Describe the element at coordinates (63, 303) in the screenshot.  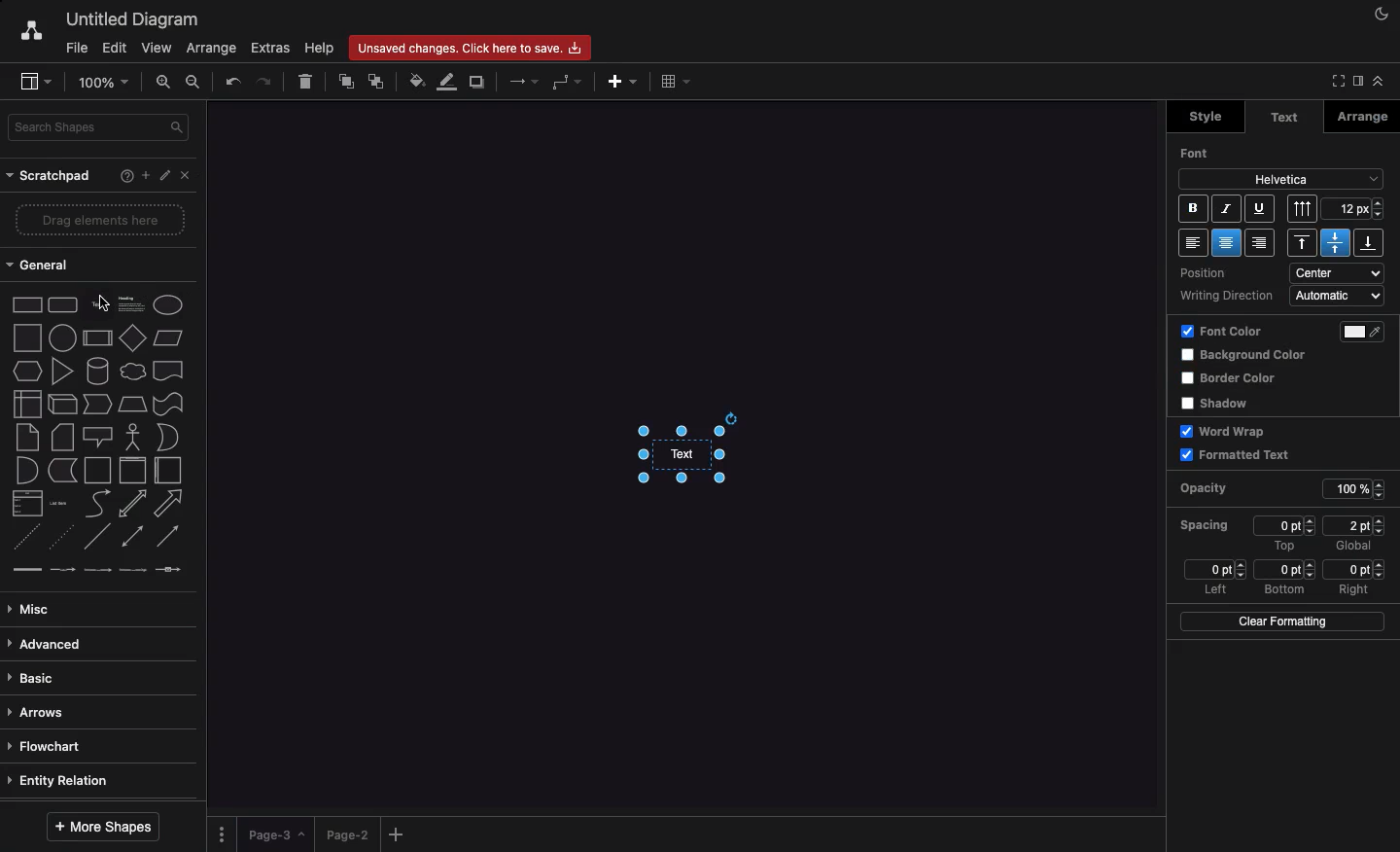
I see `rounded rectangle` at that location.